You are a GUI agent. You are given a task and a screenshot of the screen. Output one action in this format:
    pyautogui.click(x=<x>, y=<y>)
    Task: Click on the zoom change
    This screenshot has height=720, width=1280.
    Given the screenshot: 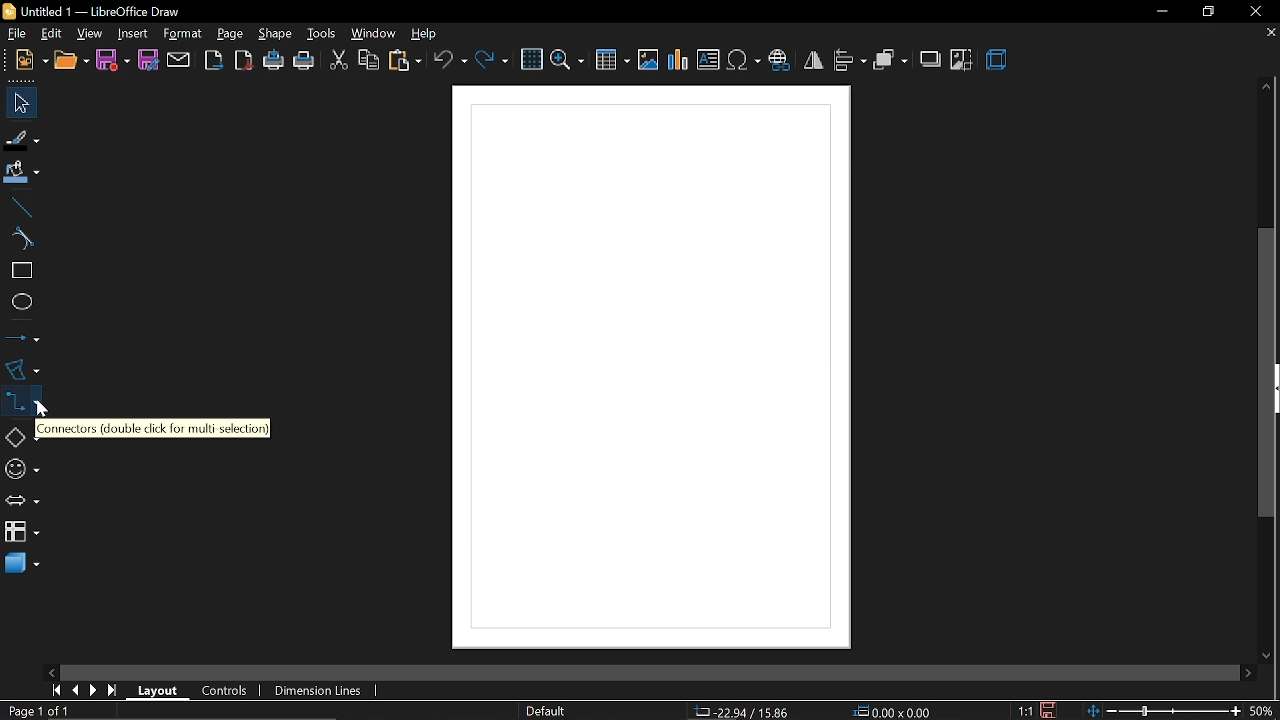 What is the action you would take?
    pyautogui.click(x=1166, y=712)
    